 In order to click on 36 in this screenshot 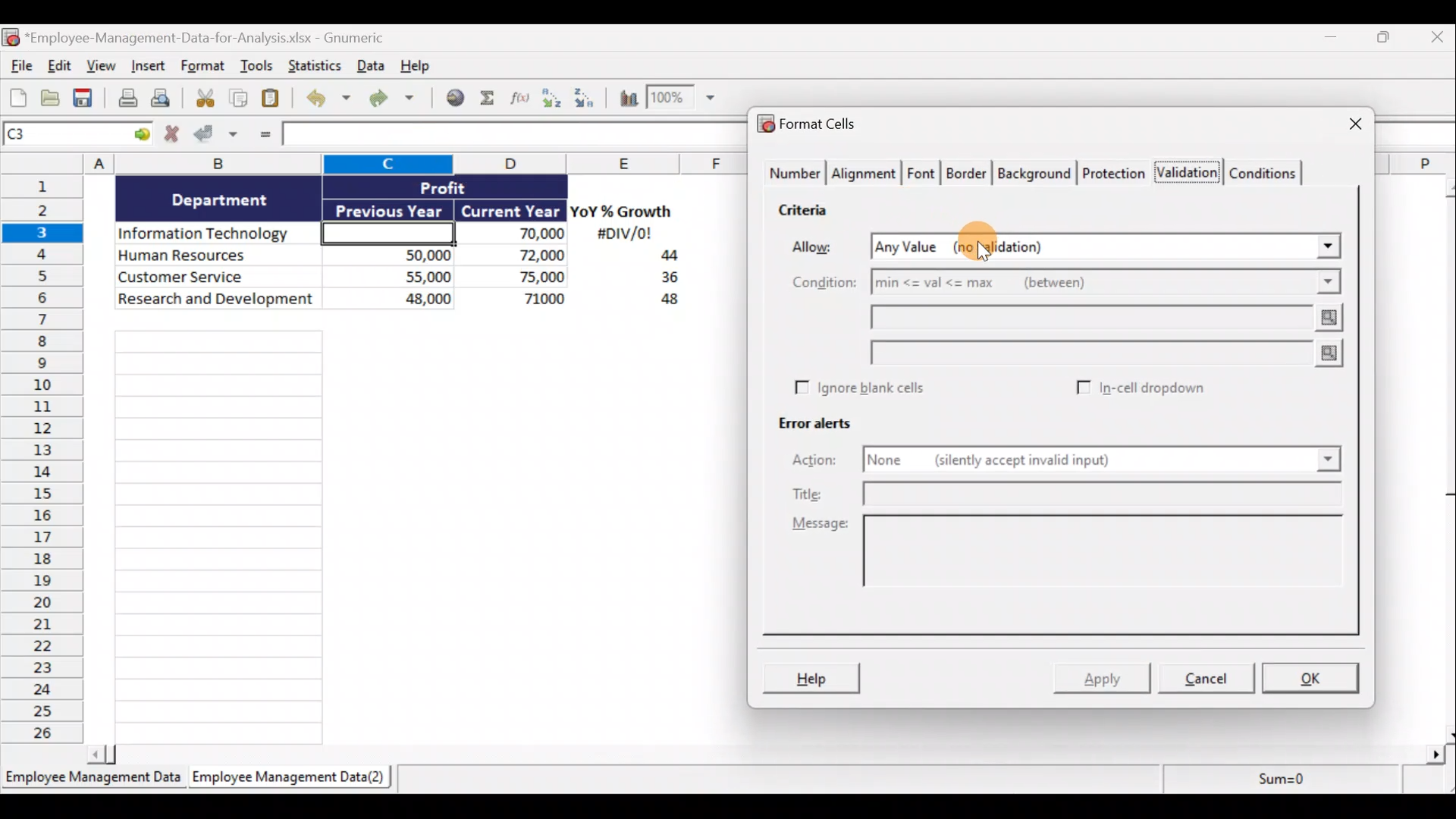, I will do `click(664, 280)`.